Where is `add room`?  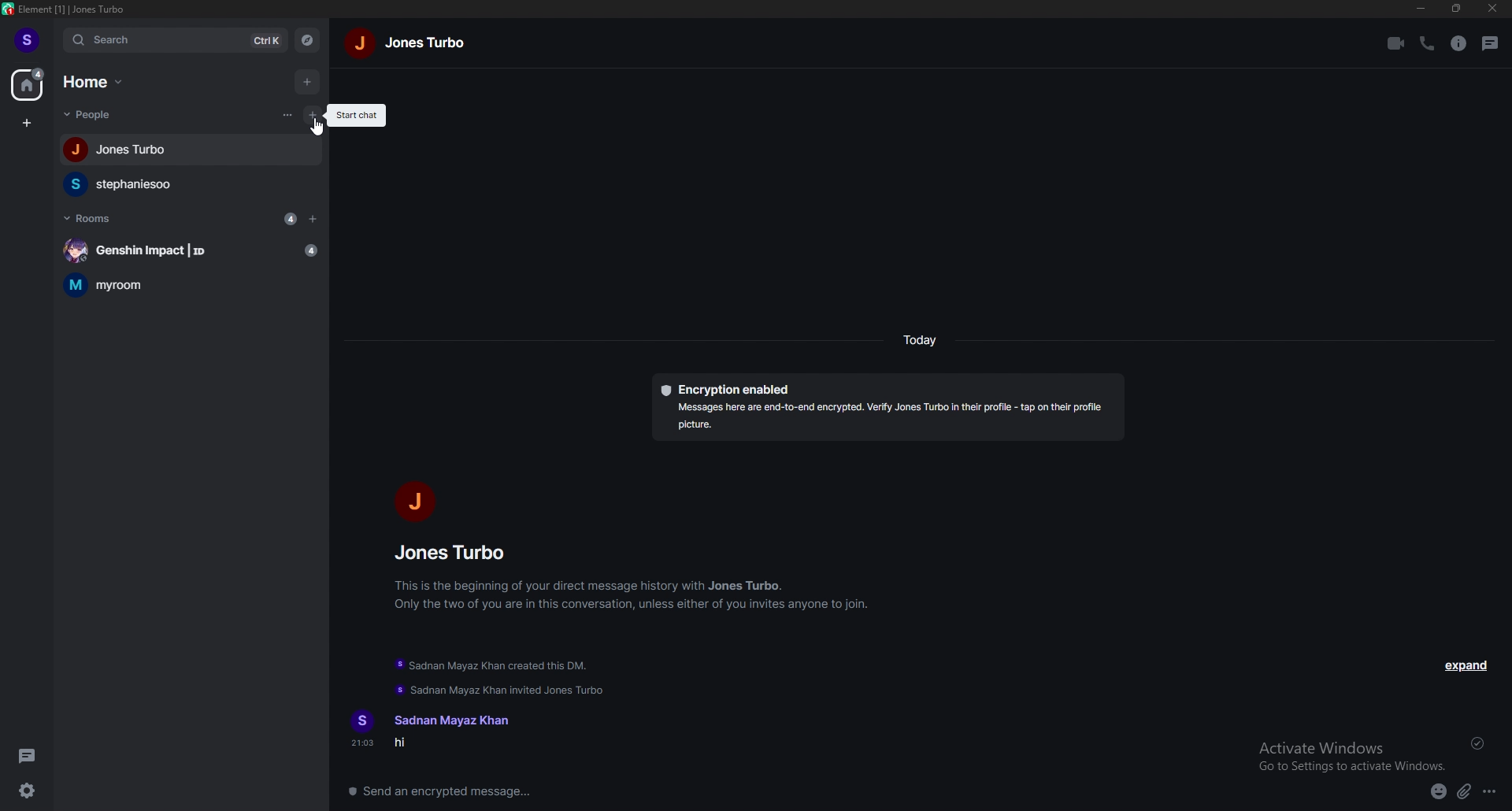
add room is located at coordinates (313, 219).